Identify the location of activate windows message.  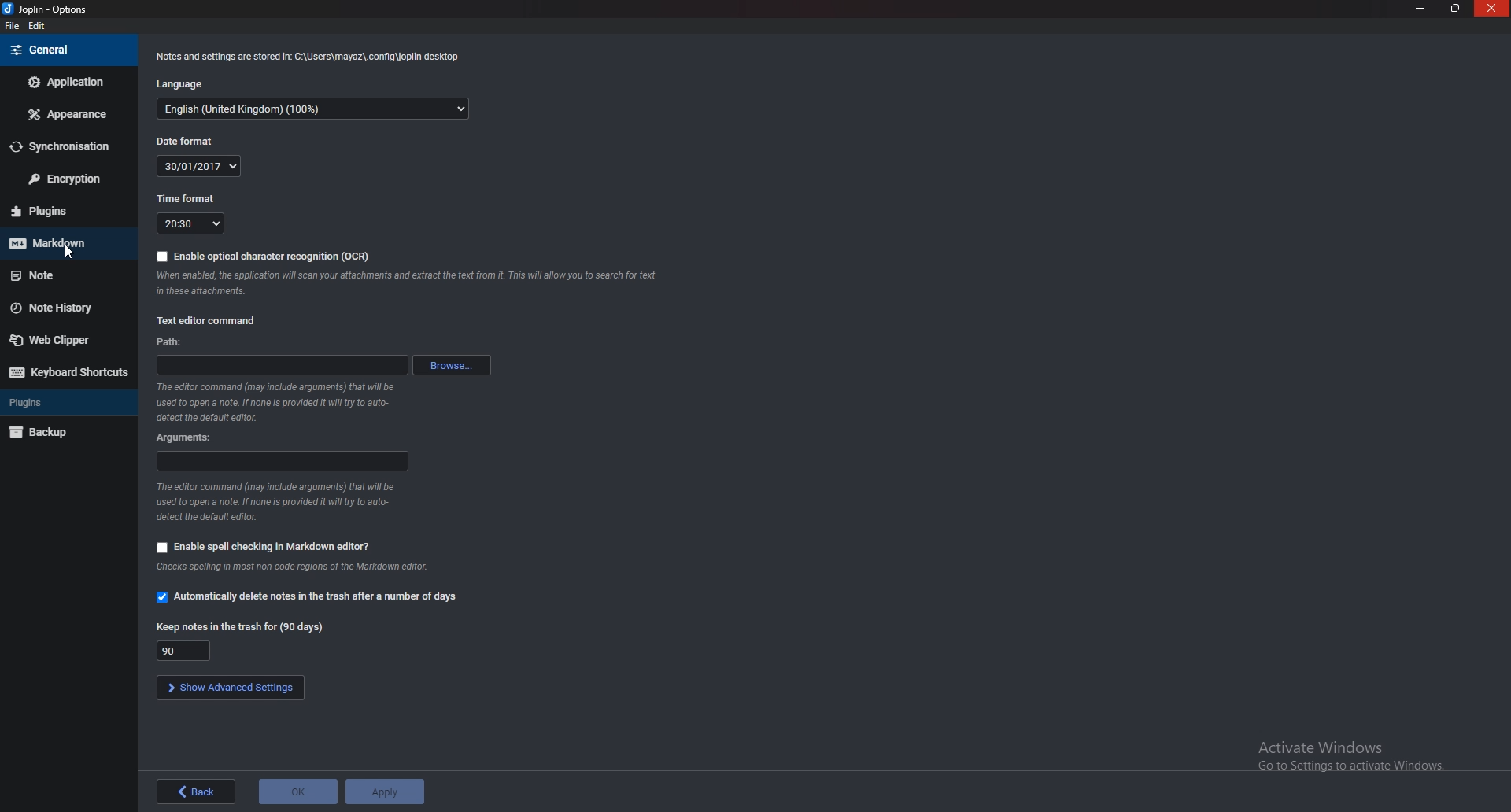
(1354, 758).